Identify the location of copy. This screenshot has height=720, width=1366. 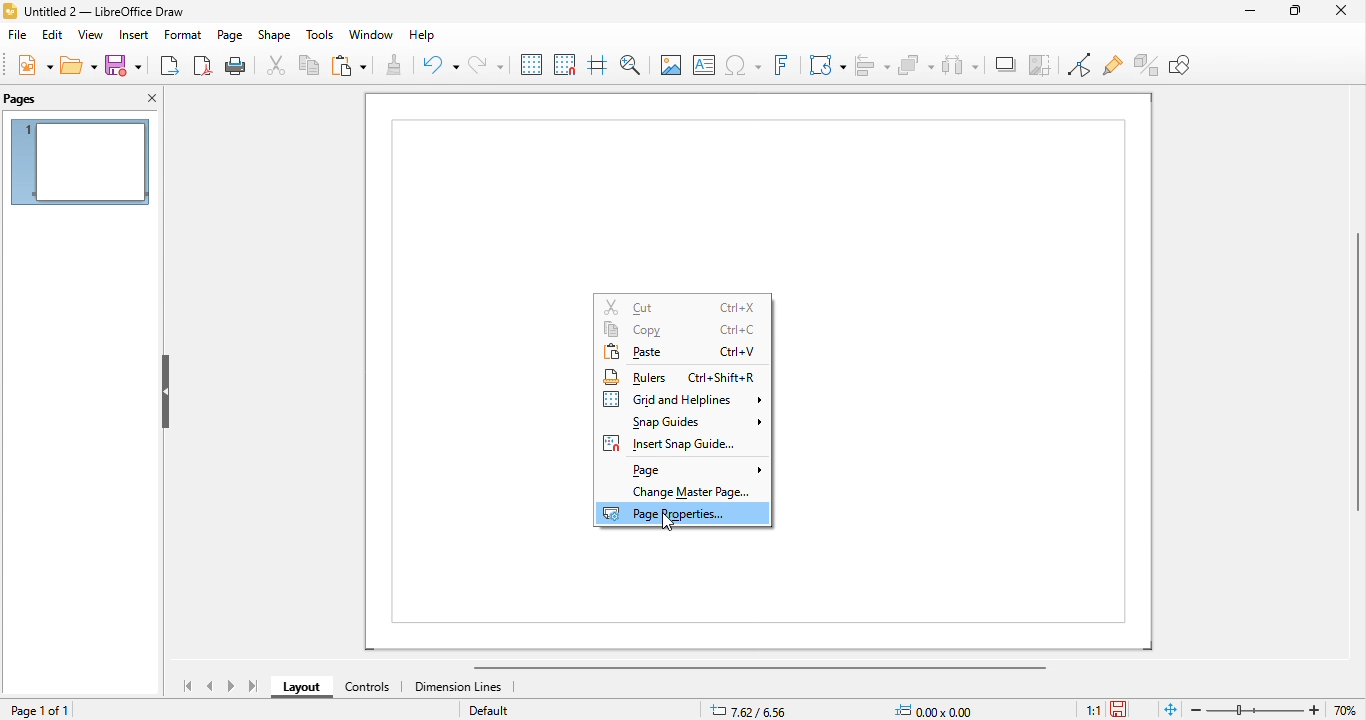
(311, 67).